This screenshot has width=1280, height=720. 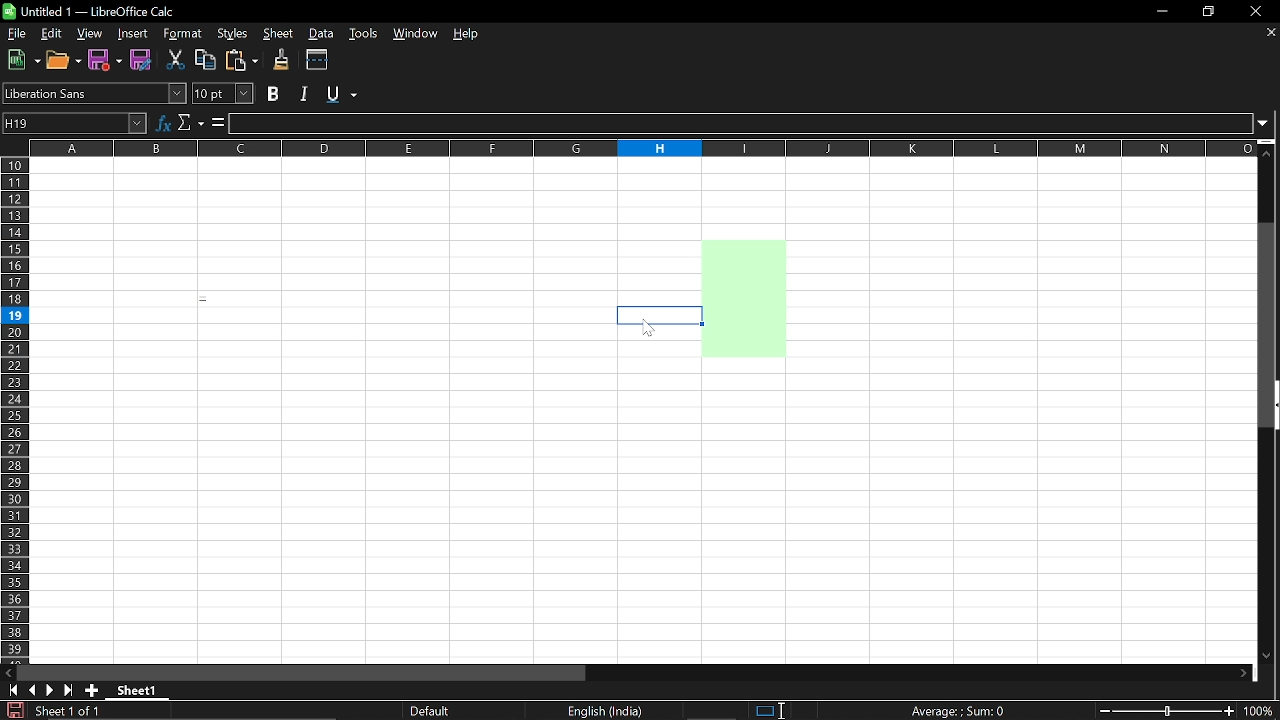 I want to click on Move left, so click(x=8, y=672).